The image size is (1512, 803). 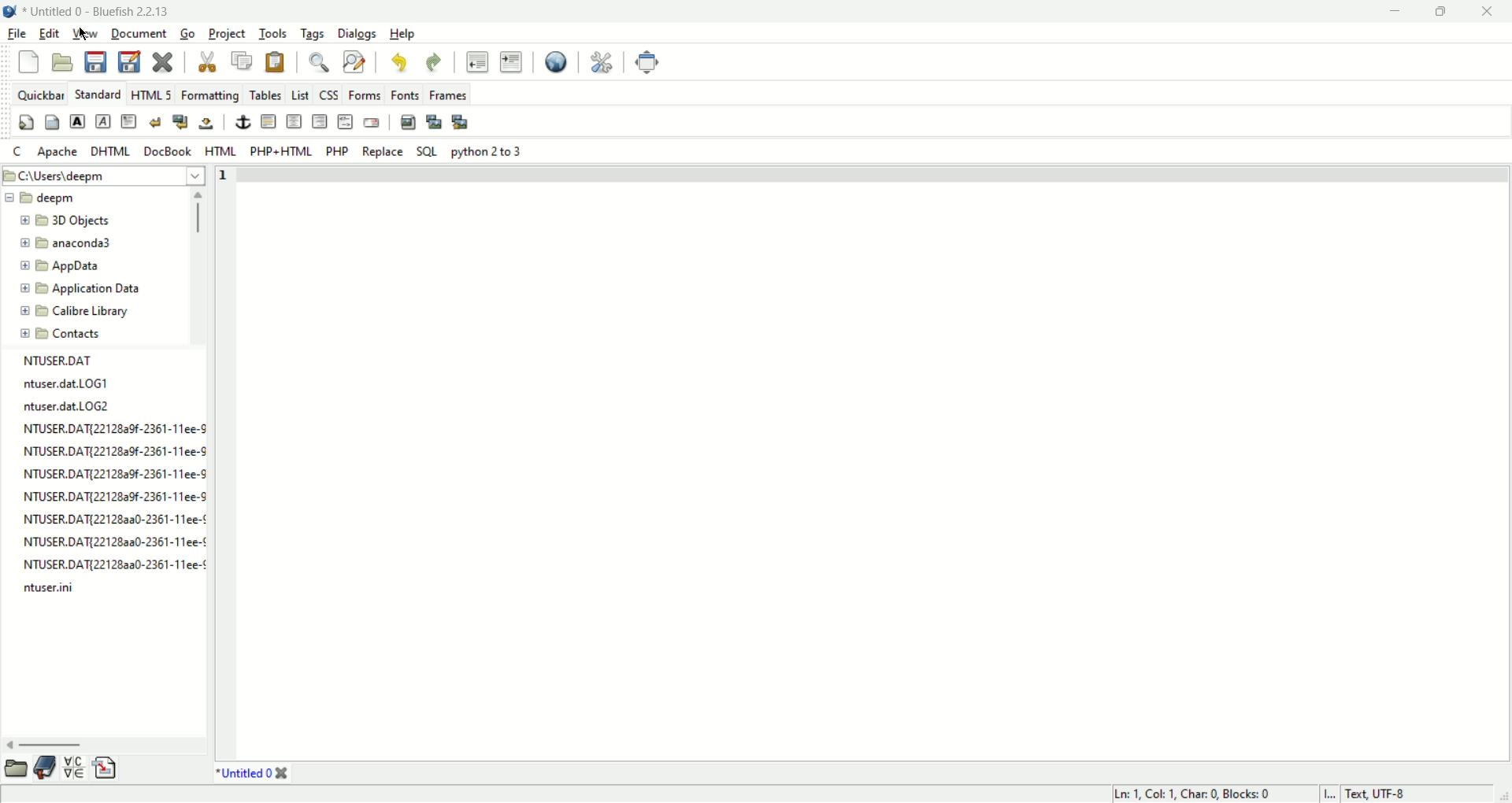 I want to click on charmap, so click(x=76, y=768).